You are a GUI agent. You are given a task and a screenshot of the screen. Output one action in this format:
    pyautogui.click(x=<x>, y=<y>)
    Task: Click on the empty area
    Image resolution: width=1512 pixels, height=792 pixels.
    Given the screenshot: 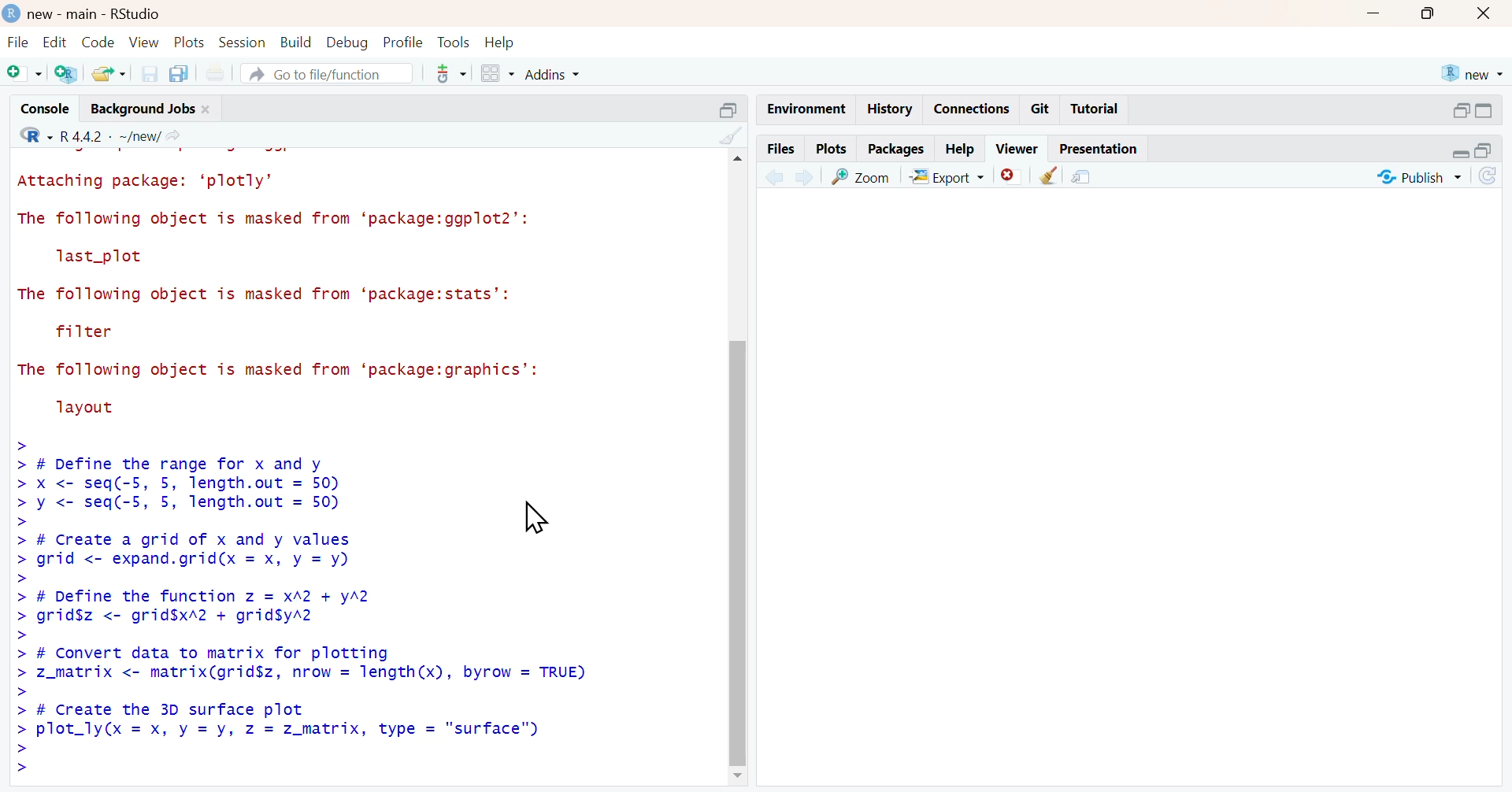 What is the action you would take?
    pyautogui.click(x=1137, y=491)
    